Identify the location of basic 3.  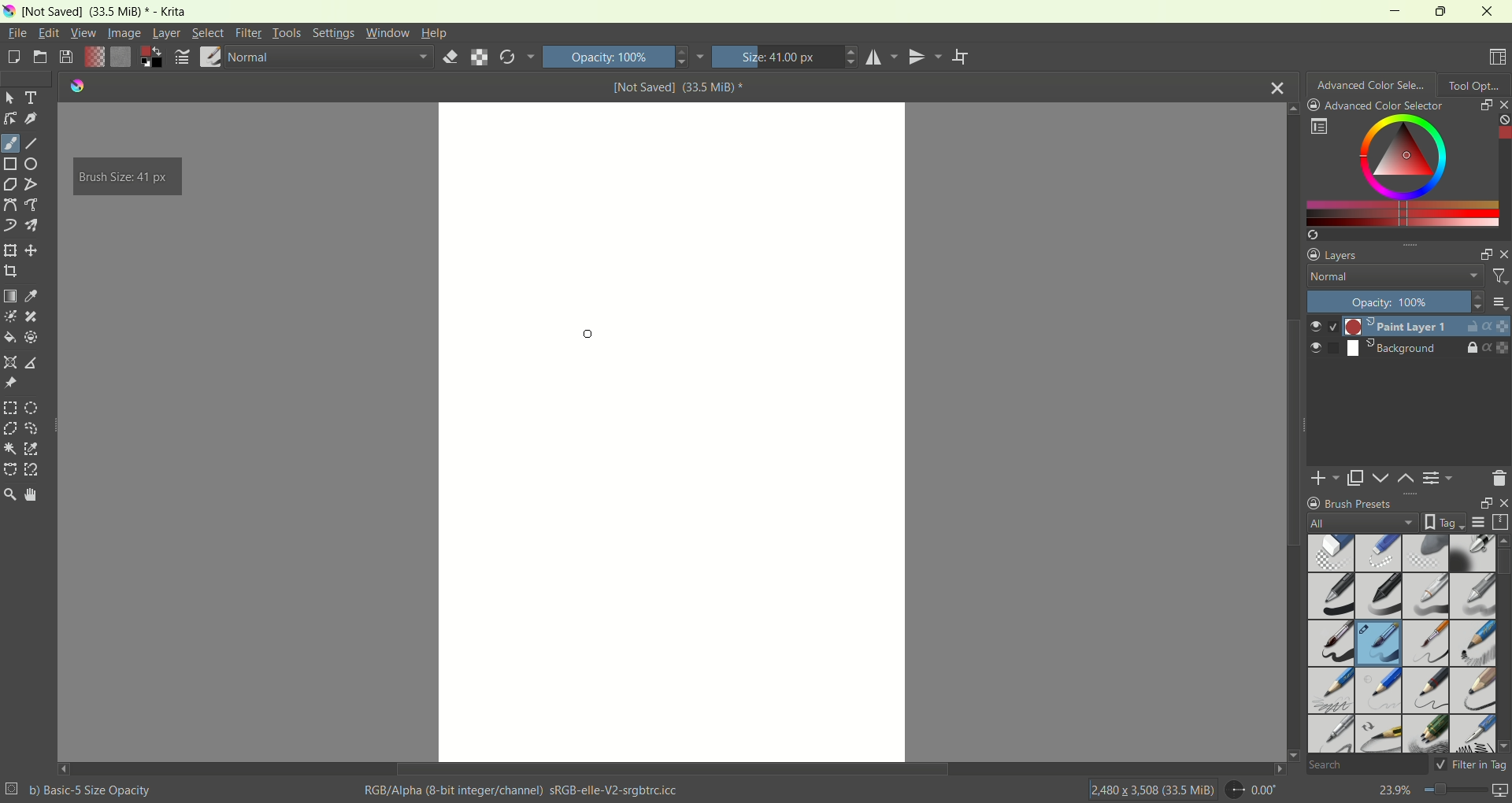
(1425, 598).